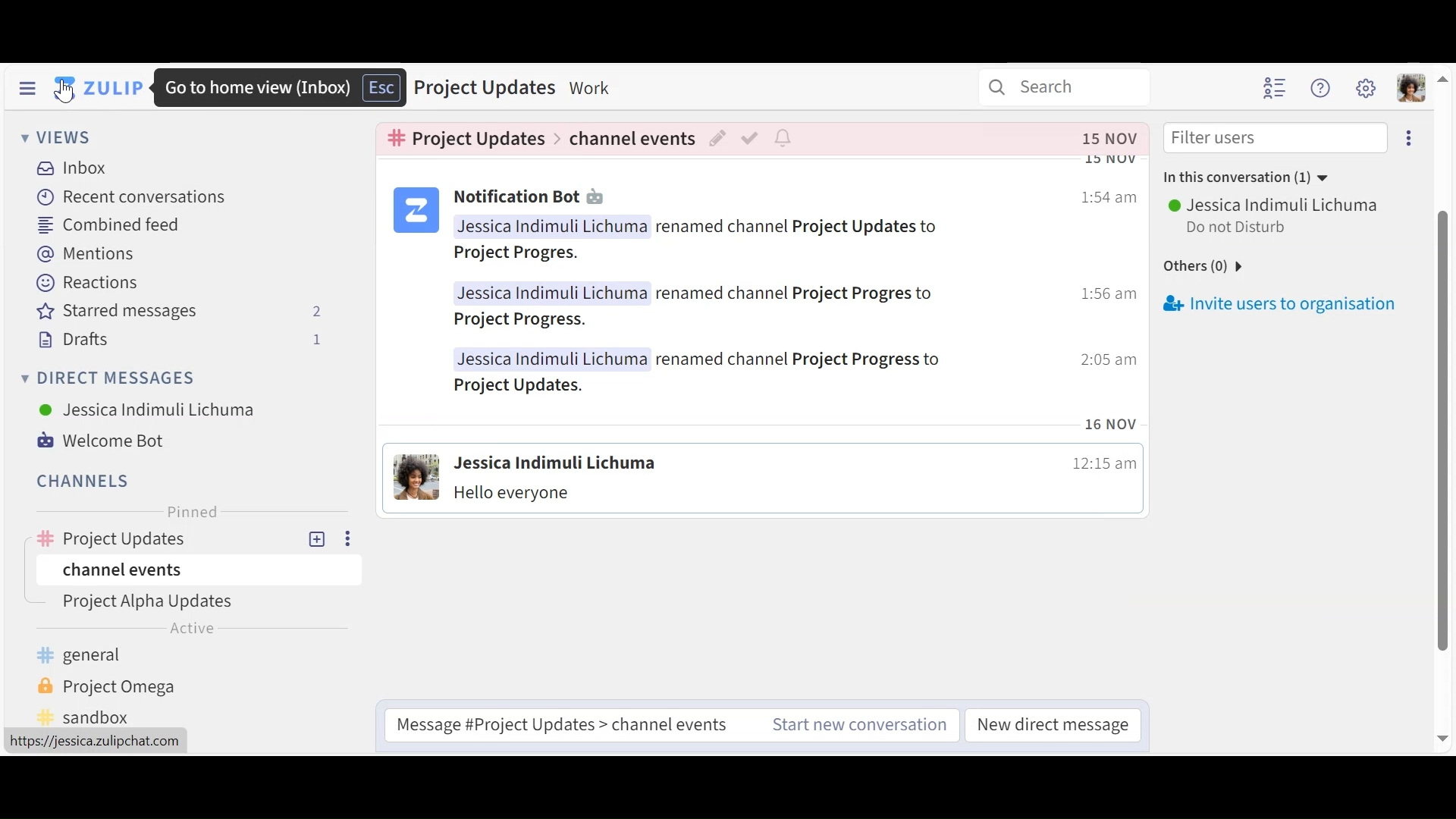 Image resolution: width=1456 pixels, height=819 pixels. I want to click on Mark as resolved, so click(748, 140).